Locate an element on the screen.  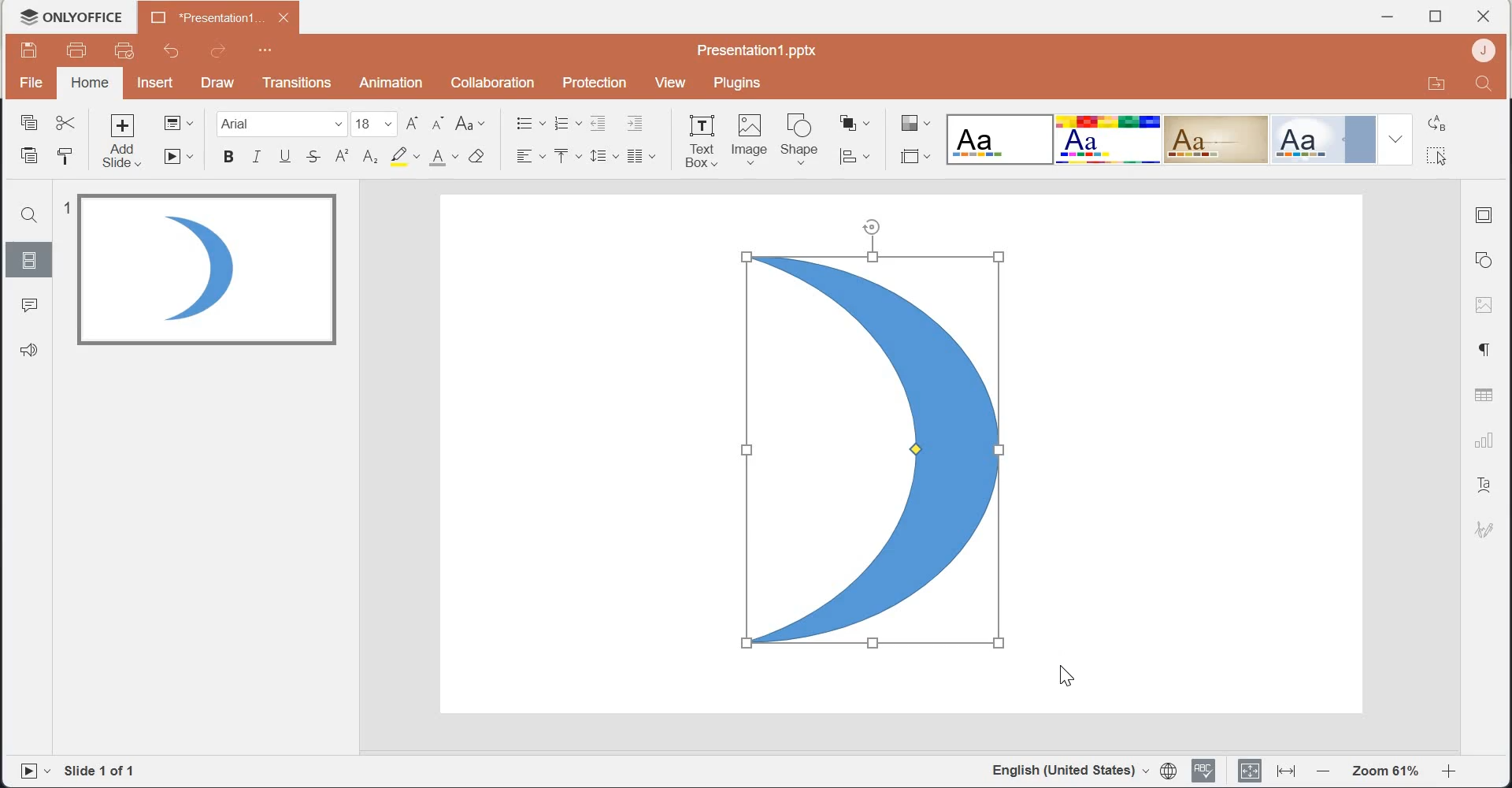
Text Box is located at coordinates (700, 139).